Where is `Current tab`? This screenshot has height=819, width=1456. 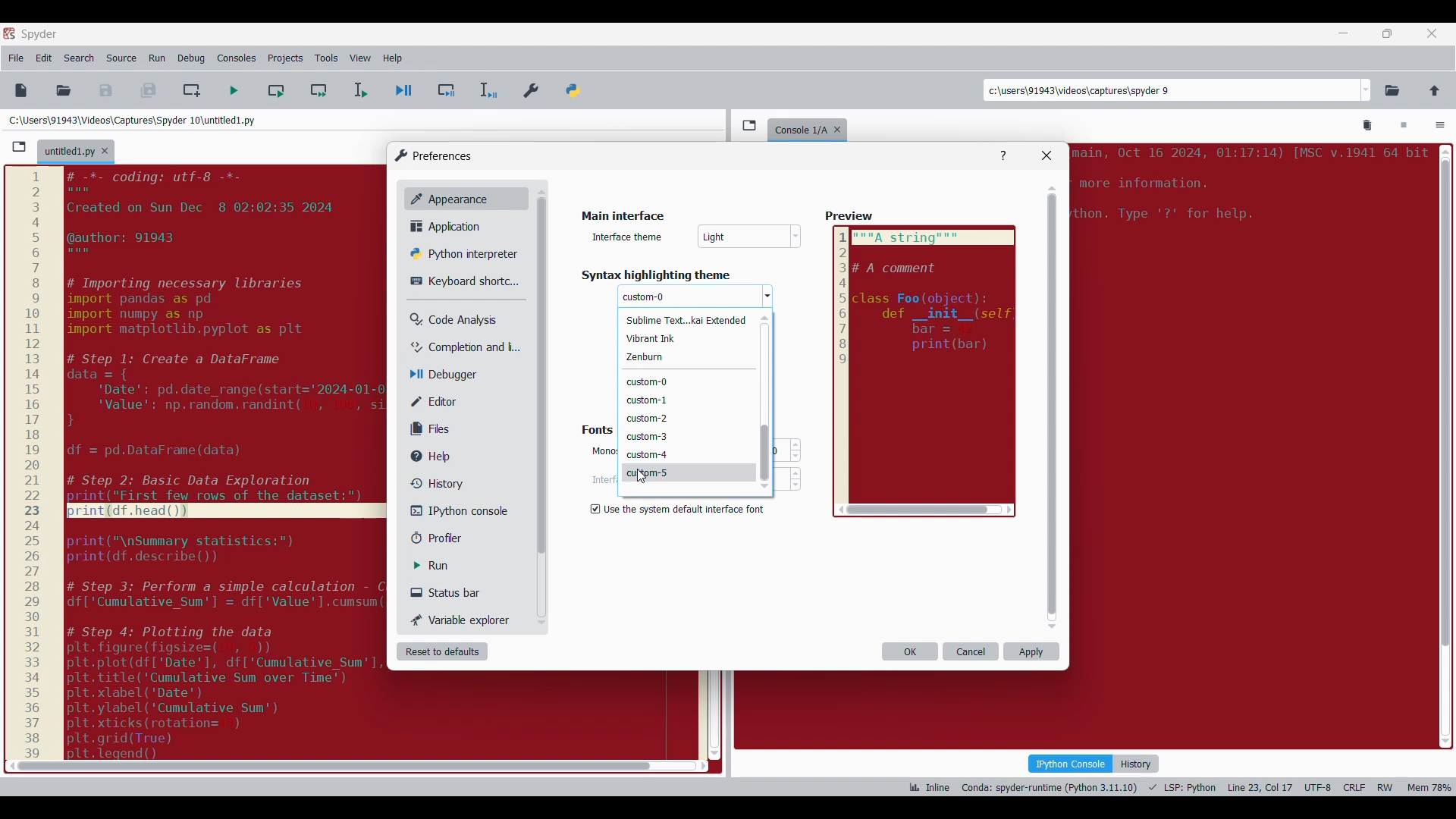
Current tab is located at coordinates (69, 152).